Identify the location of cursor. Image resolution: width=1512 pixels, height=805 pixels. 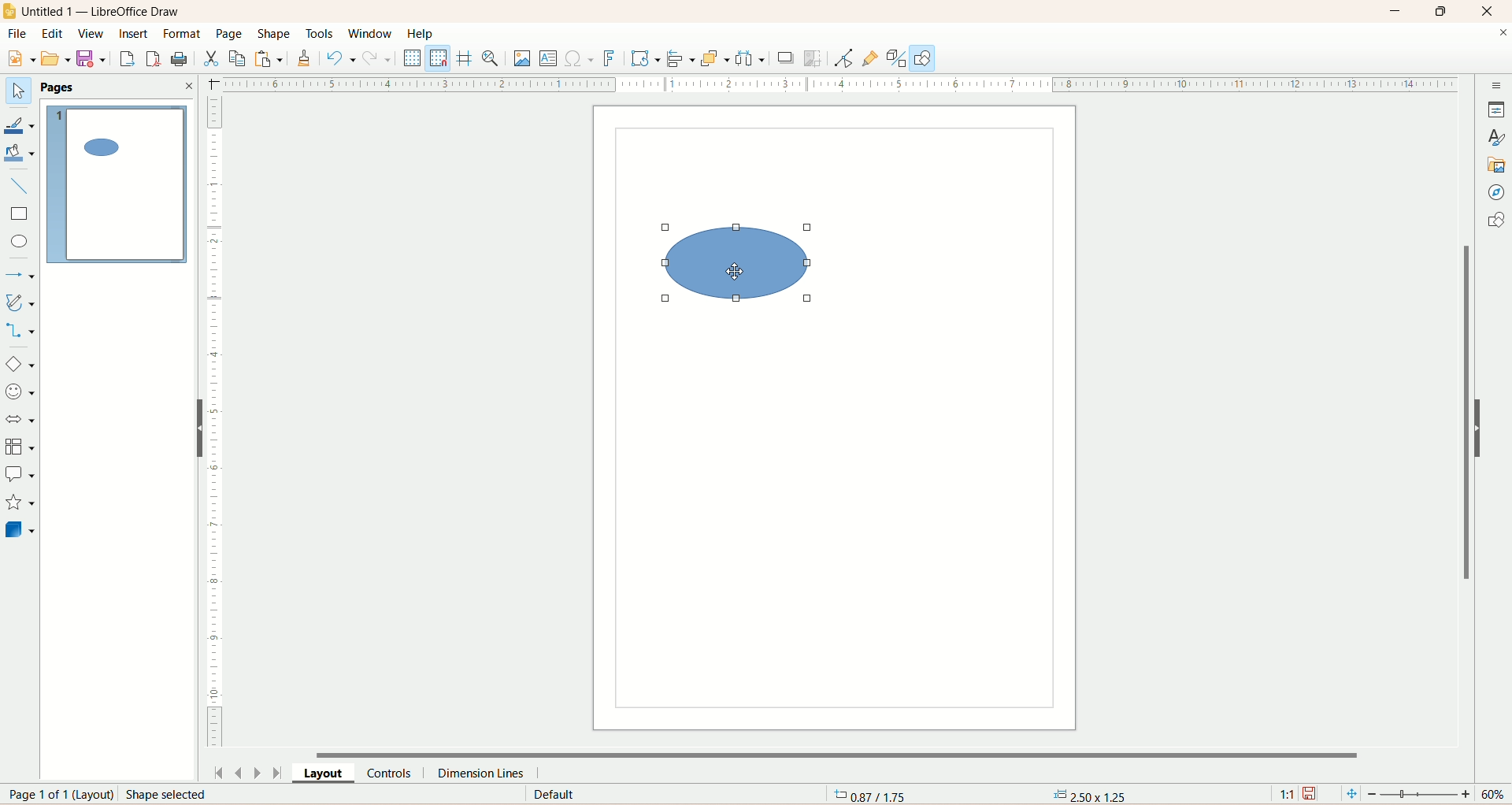
(736, 274).